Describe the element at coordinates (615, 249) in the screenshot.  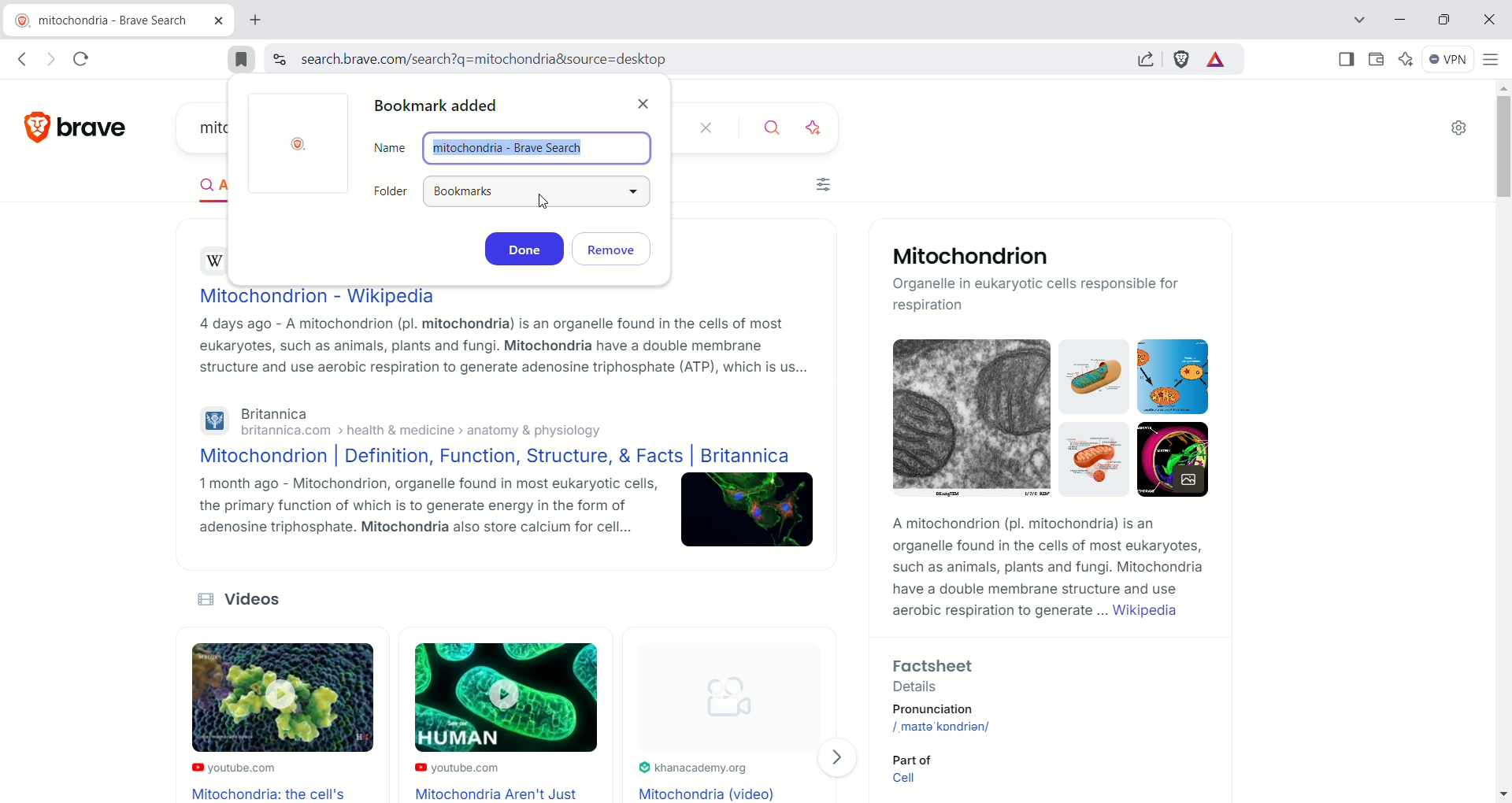
I see `remove` at that location.